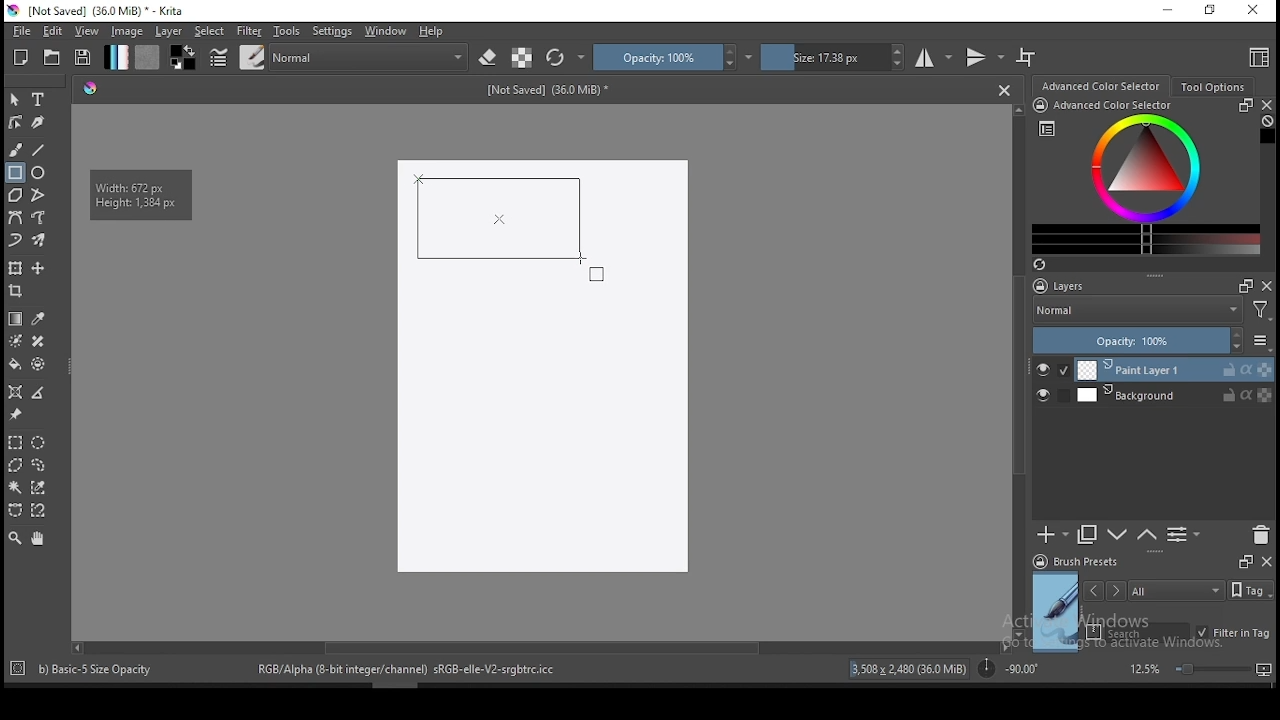  Describe the element at coordinates (1267, 123) in the screenshot. I see `Clear` at that location.